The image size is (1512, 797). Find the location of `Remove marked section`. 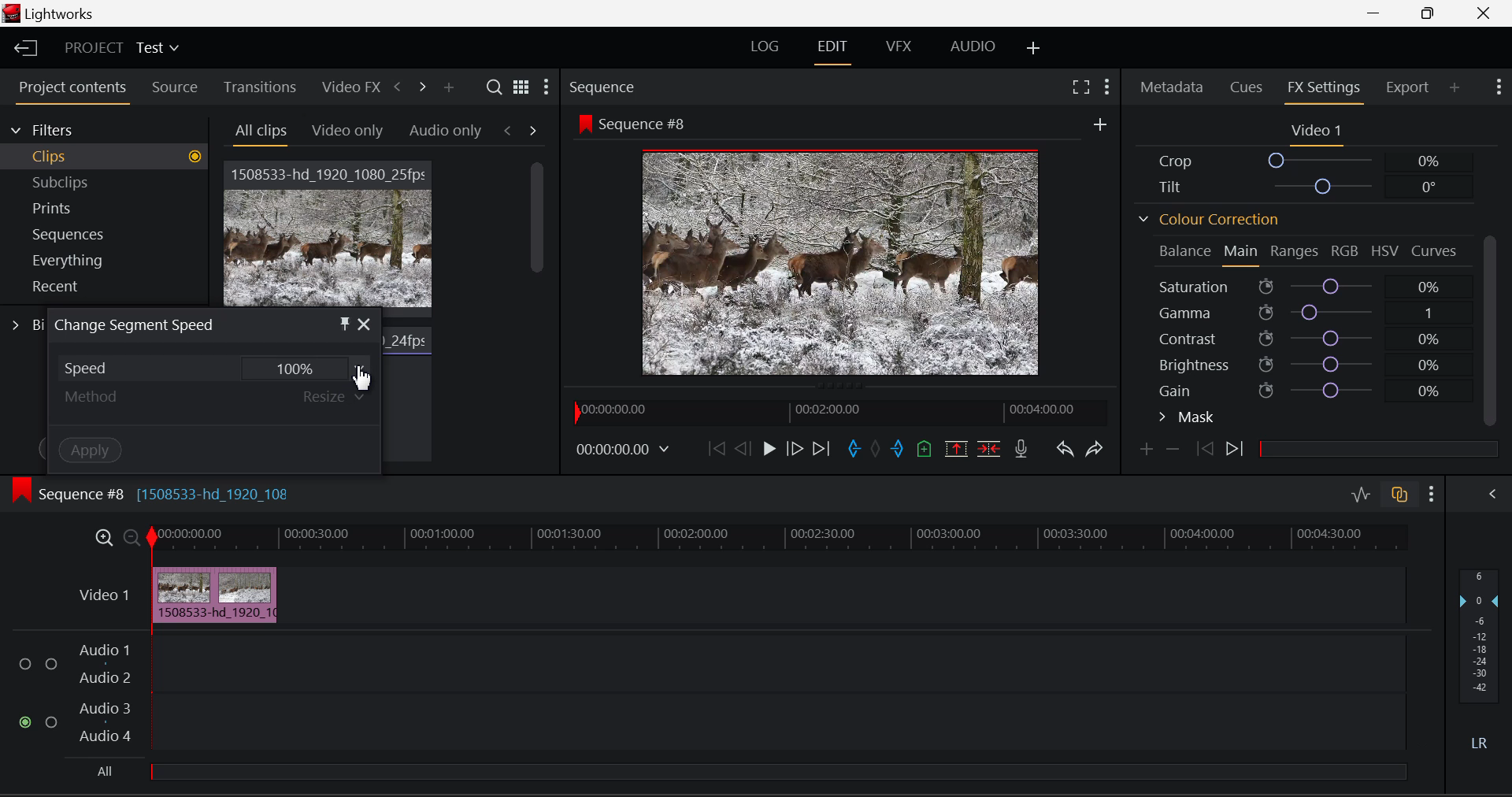

Remove marked section is located at coordinates (955, 447).